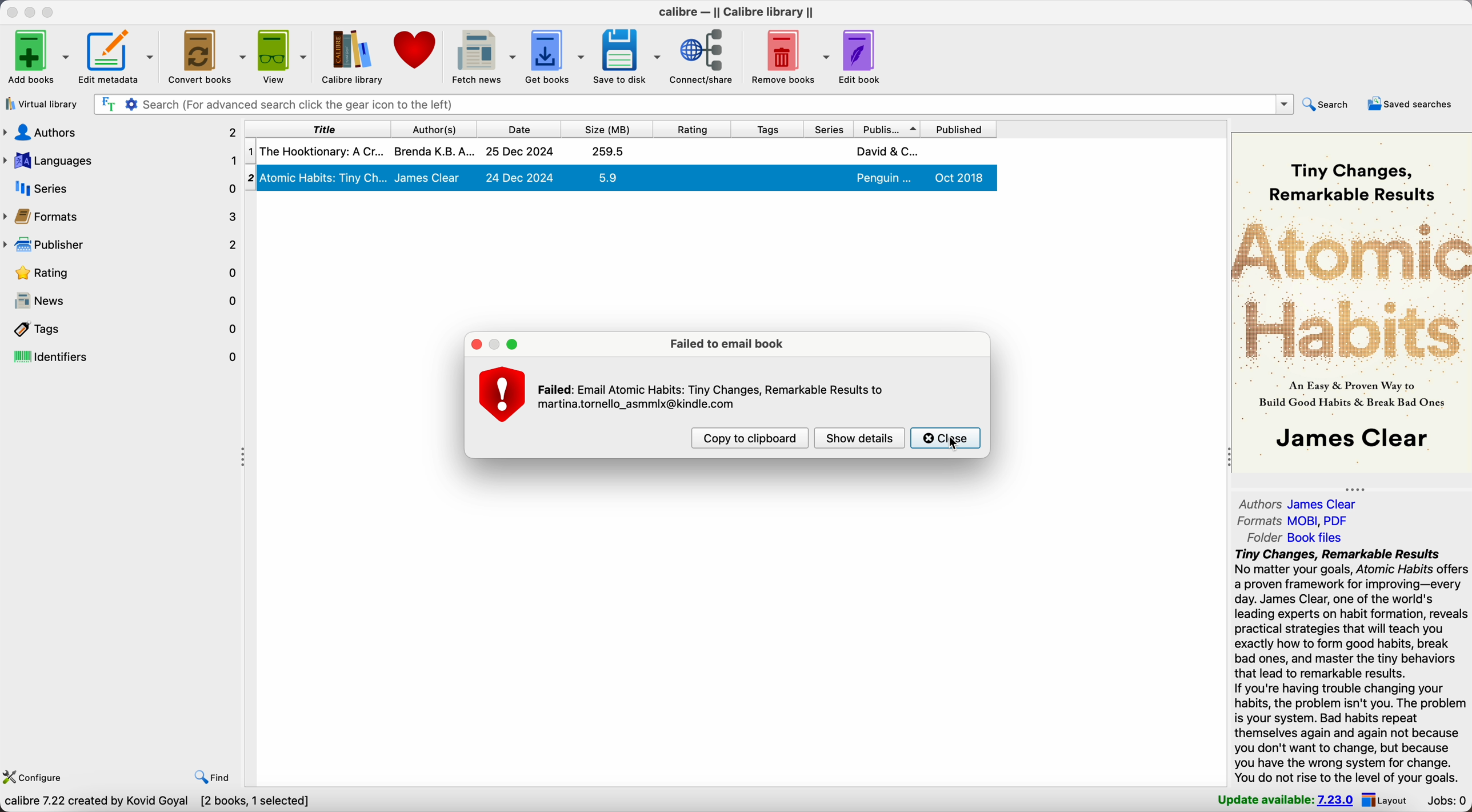 The width and height of the screenshot is (1472, 812). I want to click on identifiers, so click(122, 357).